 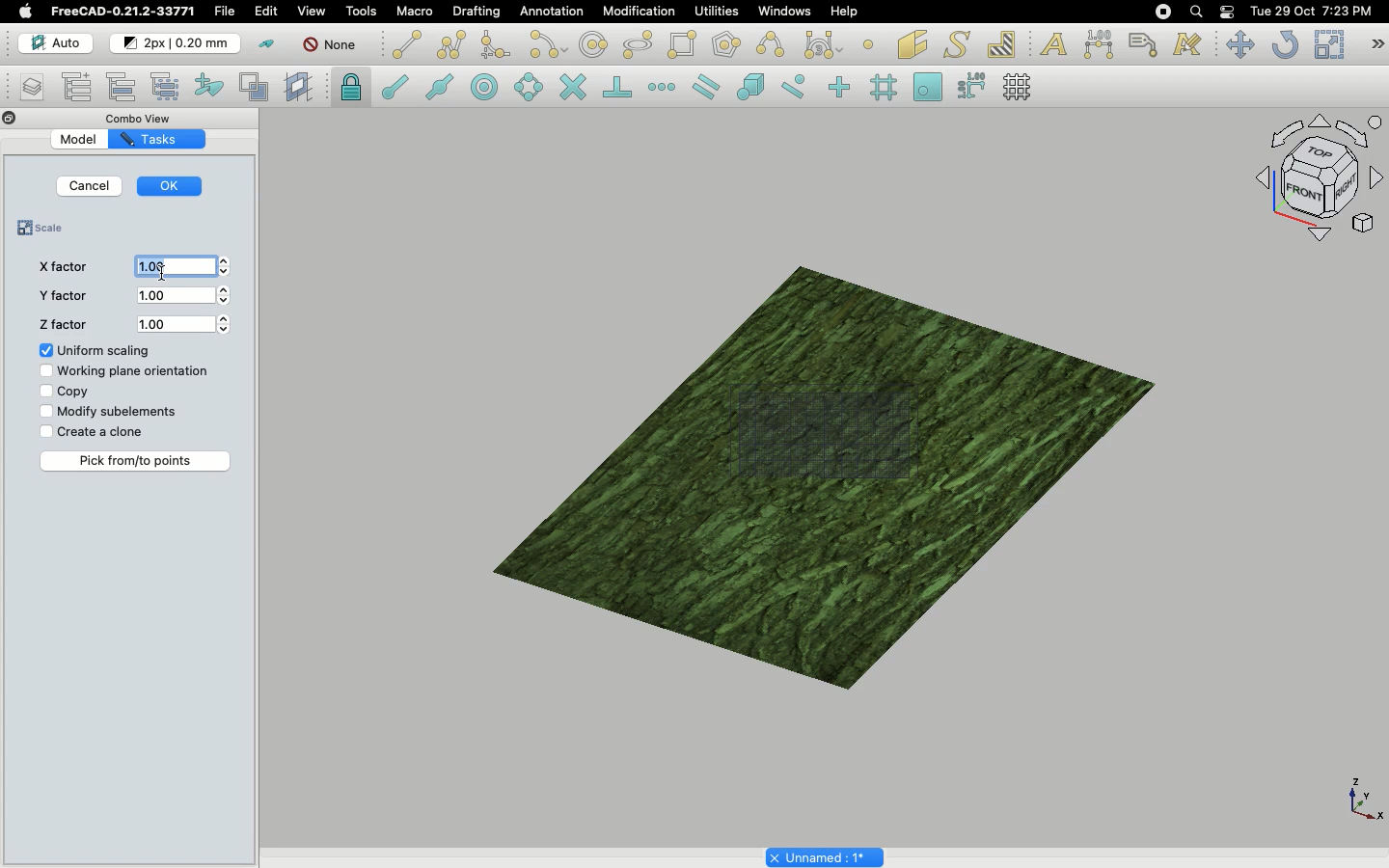 I want to click on Refresh, so click(x=1284, y=44).